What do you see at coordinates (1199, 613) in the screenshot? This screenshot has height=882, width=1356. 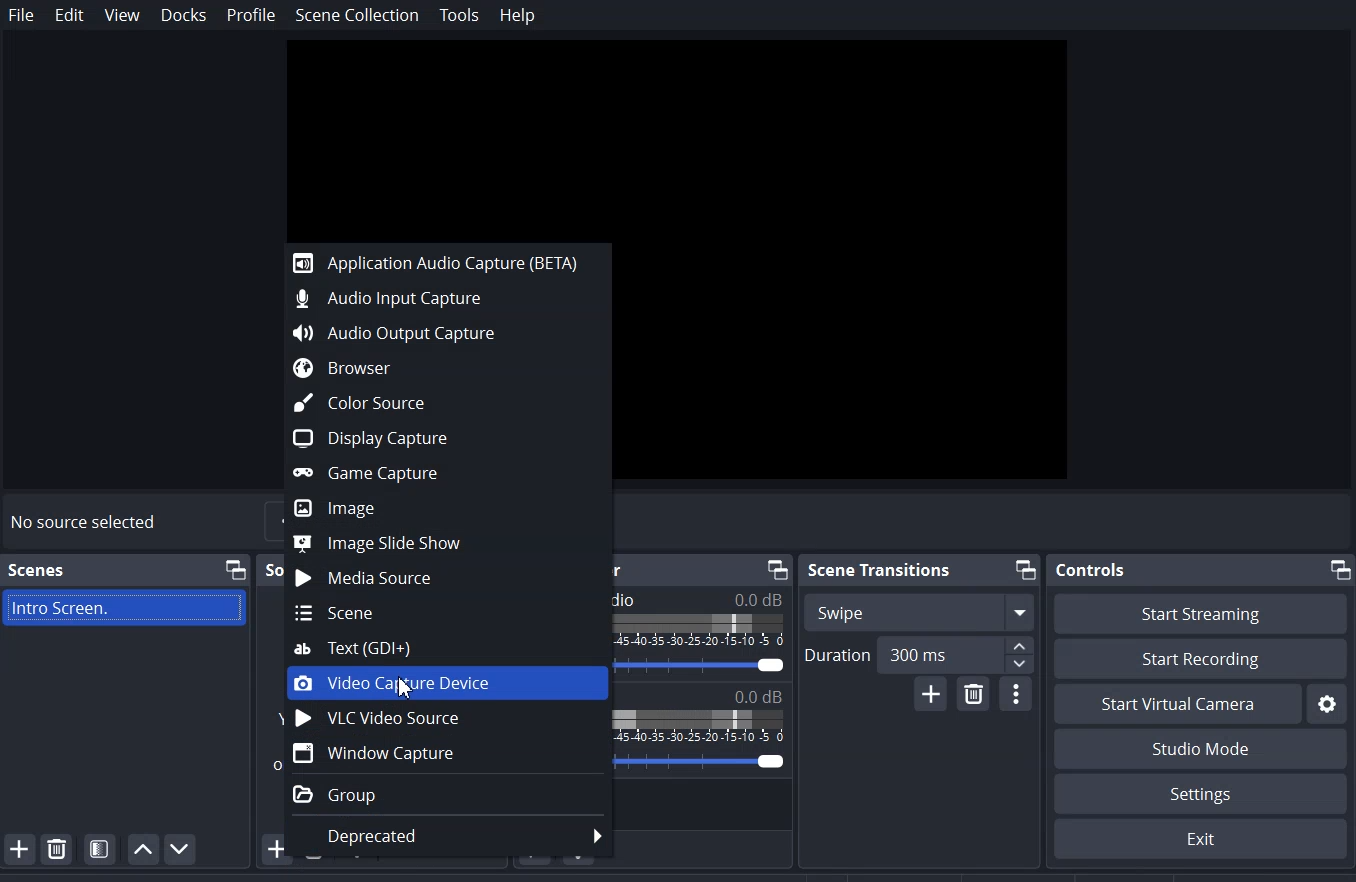 I see `Start Streaming` at bounding box center [1199, 613].